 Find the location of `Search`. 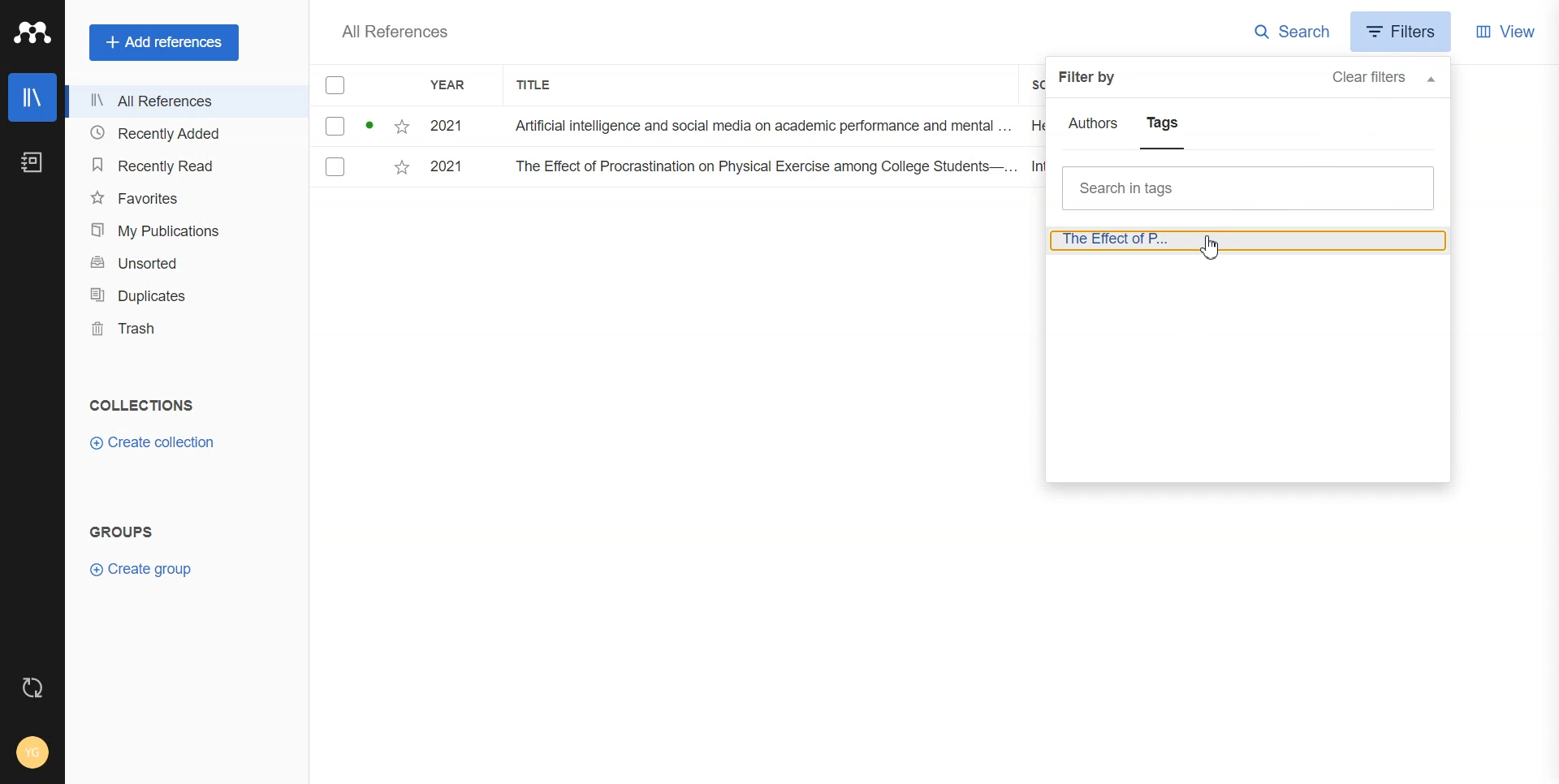

Search is located at coordinates (1291, 32).